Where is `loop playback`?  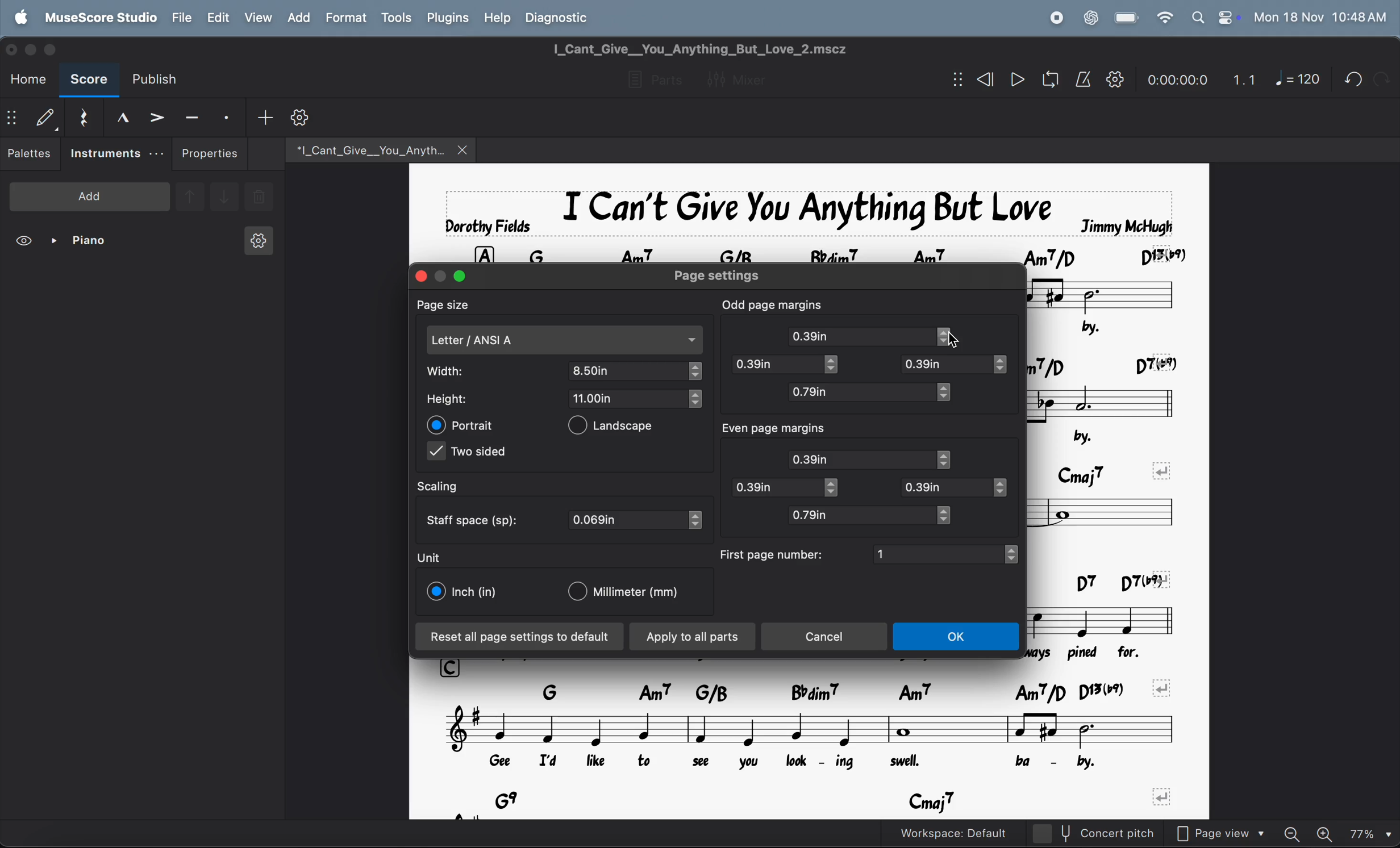
loop playback is located at coordinates (1034, 81).